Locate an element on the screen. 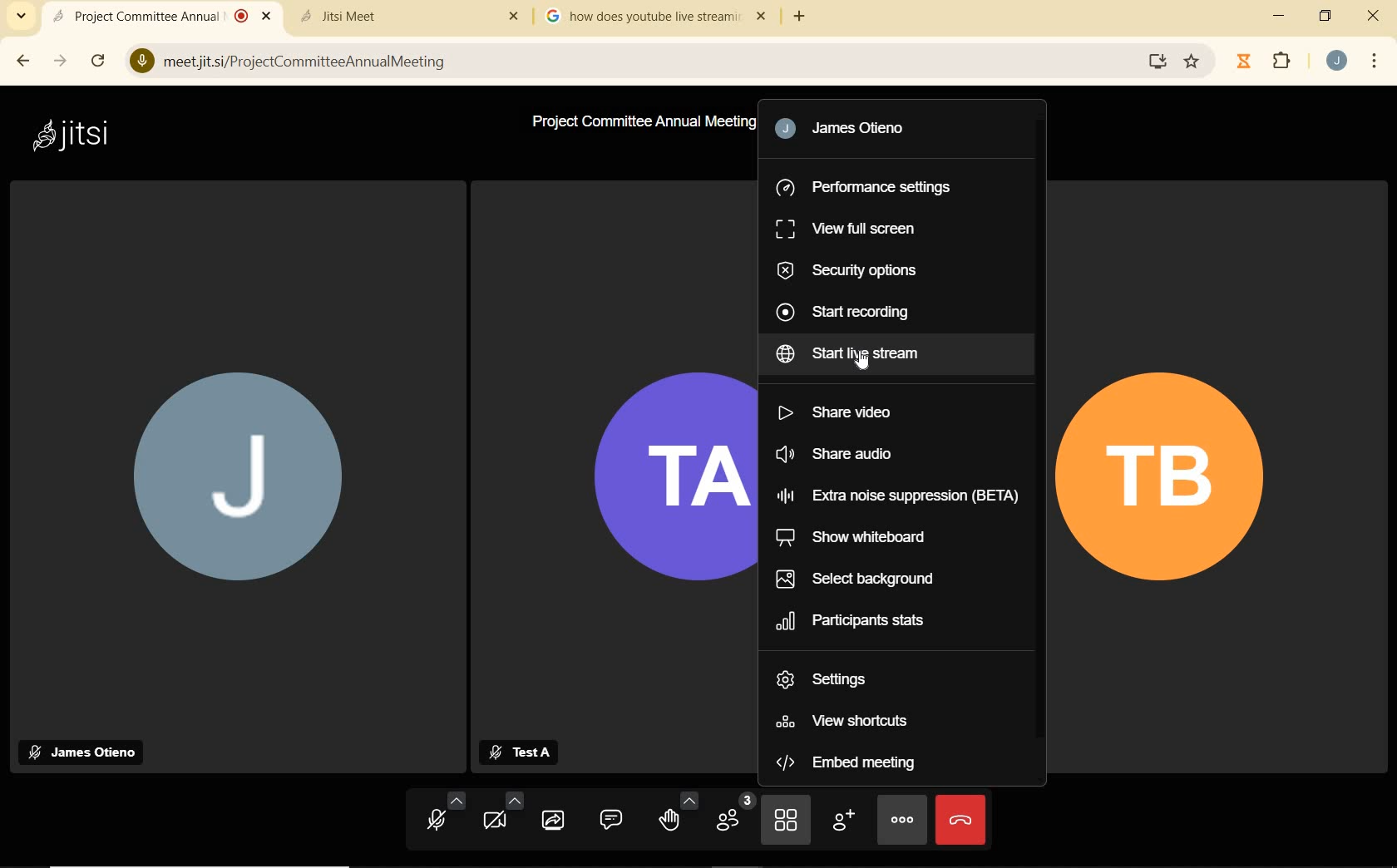 The image size is (1397, 868). minimize is located at coordinates (1278, 17).